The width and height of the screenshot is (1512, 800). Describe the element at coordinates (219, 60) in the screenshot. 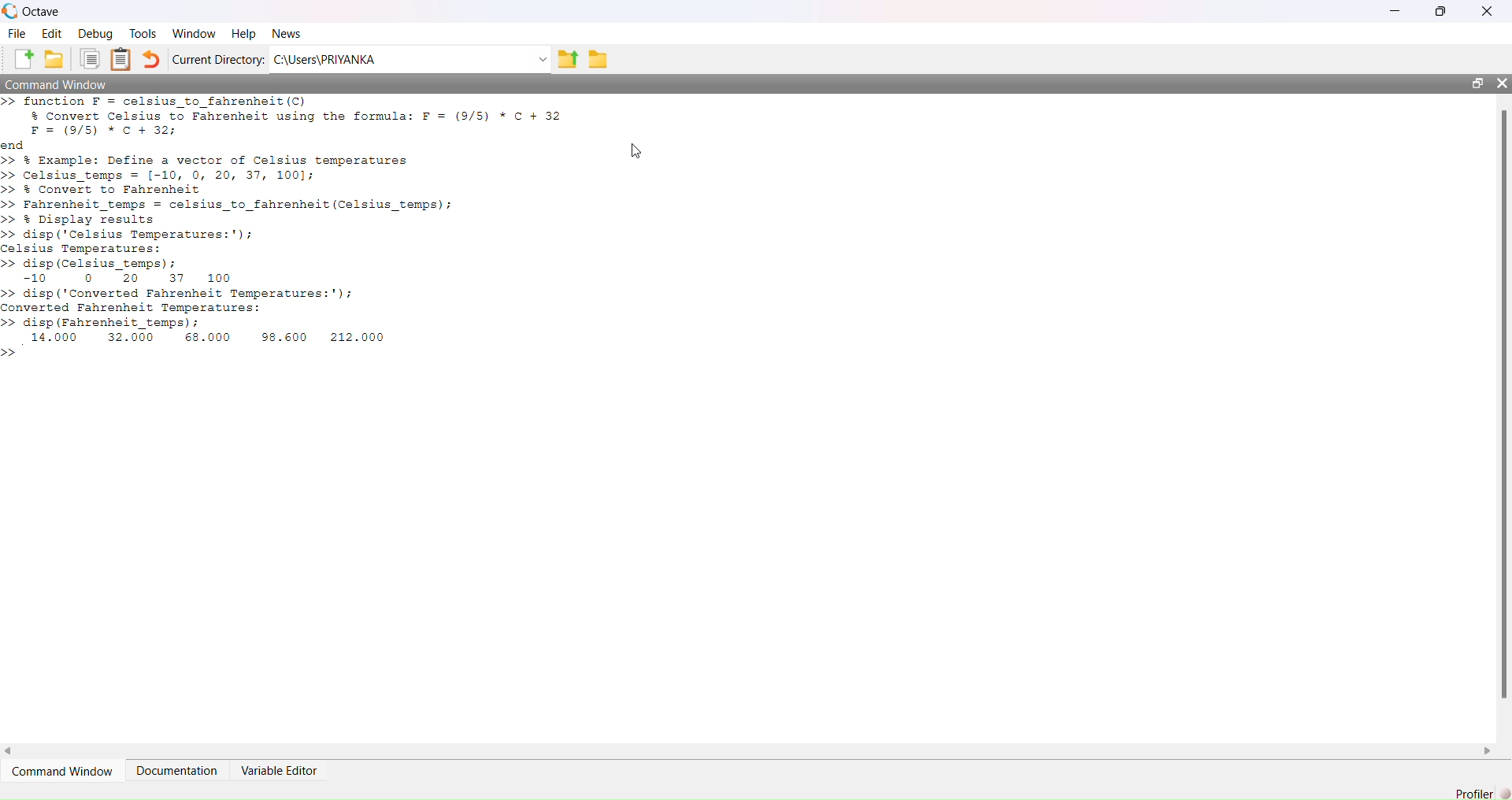

I see `Current Directory:` at that location.